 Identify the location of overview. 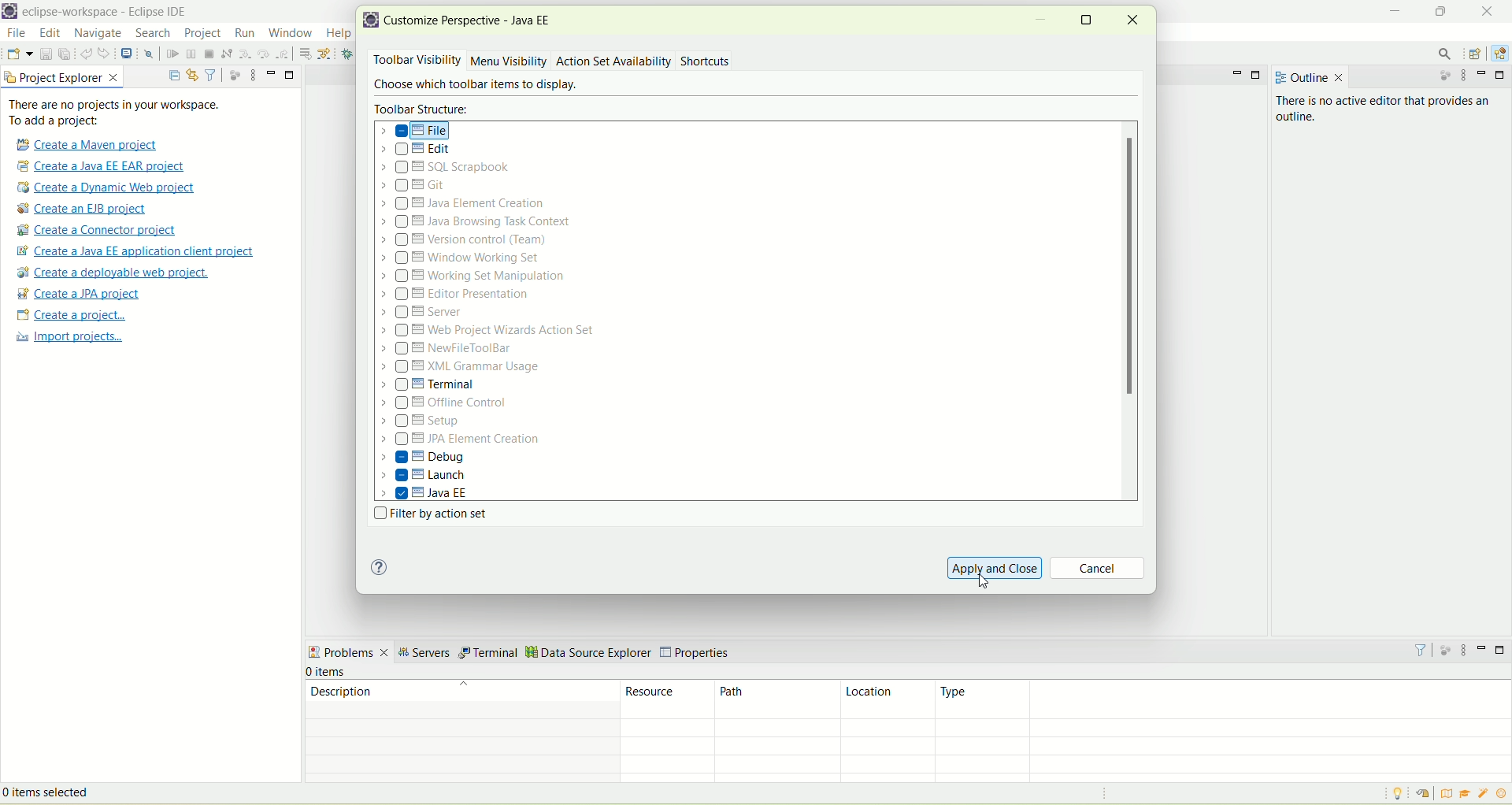
(1450, 794).